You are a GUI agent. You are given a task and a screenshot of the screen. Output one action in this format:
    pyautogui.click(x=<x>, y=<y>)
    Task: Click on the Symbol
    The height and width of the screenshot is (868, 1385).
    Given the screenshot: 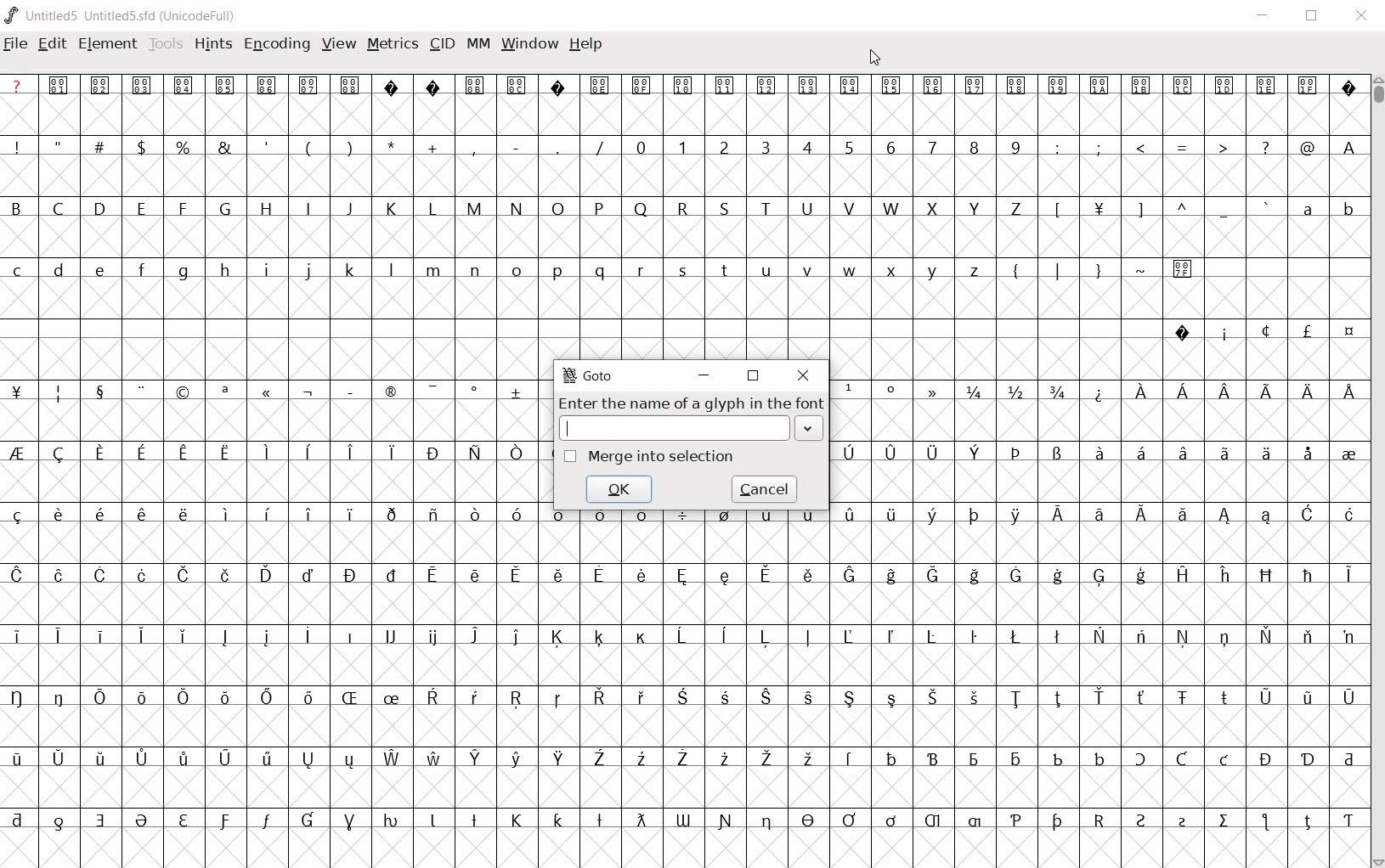 What is the action you would take?
    pyautogui.click(x=1348, y=389)
    